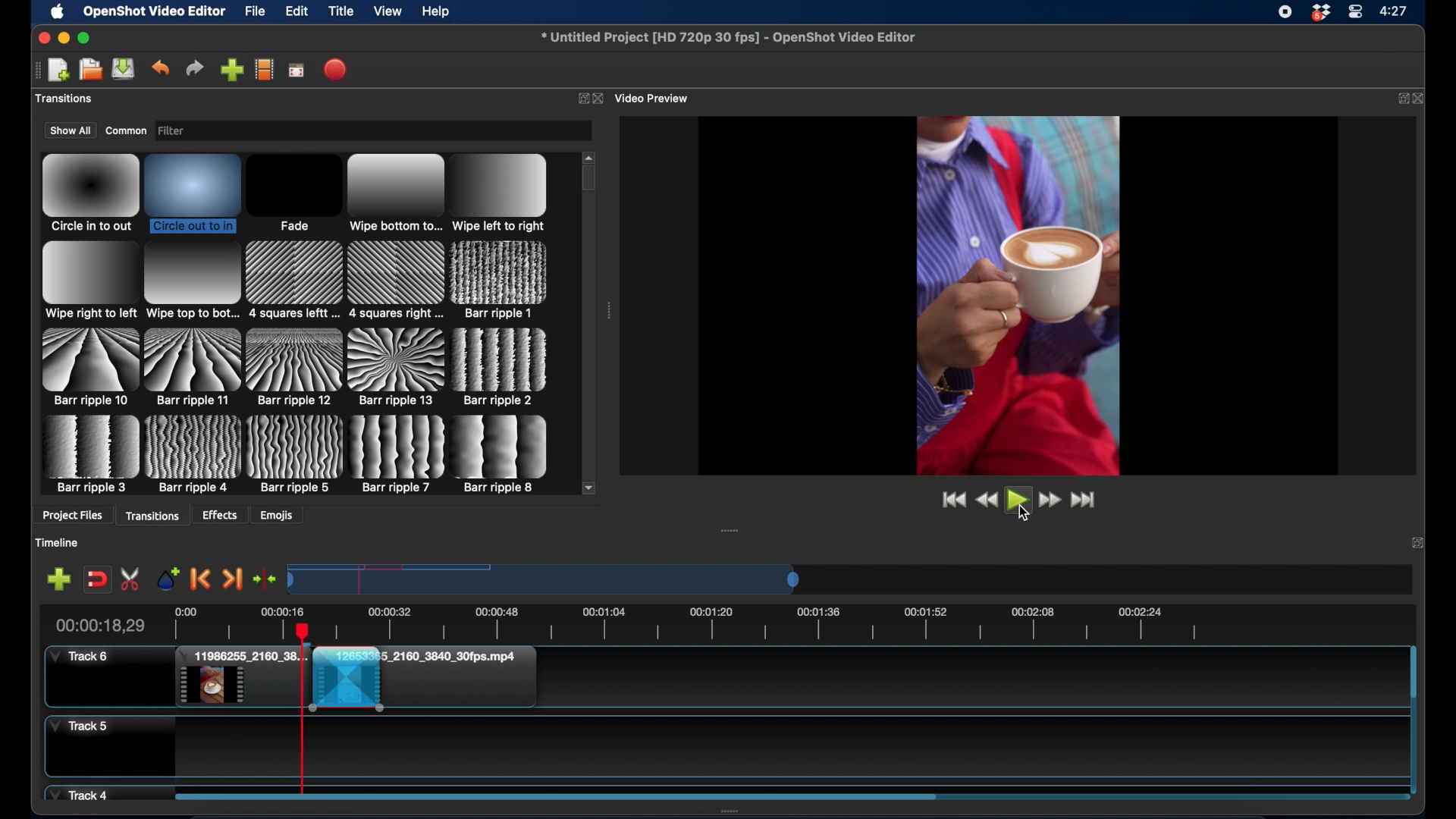 This screenshot has height=819, width=1456. I want to click on transition, so click(191, 281).